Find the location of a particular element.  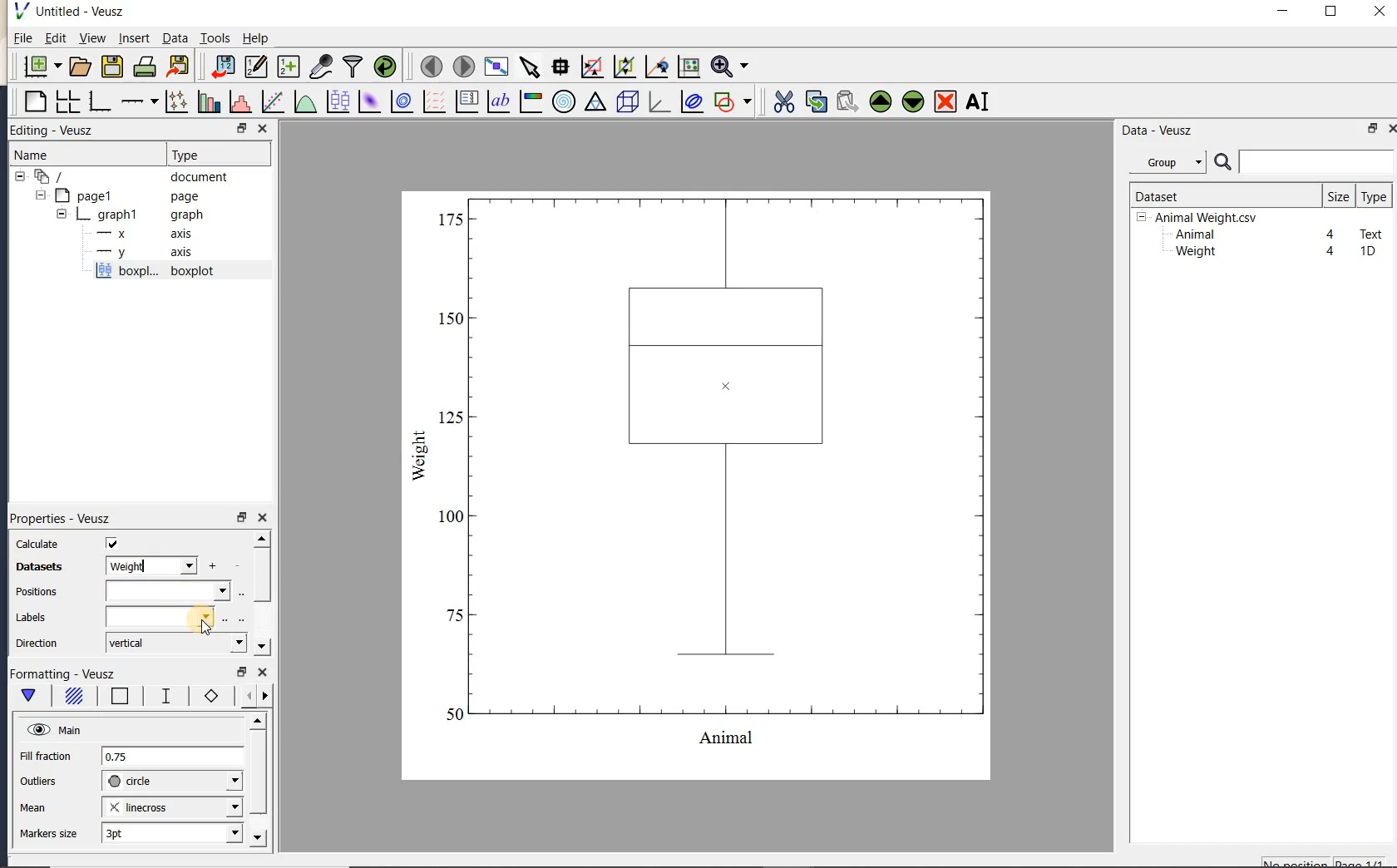

paste widget from the clipboard is located at coordinates (847, 103).